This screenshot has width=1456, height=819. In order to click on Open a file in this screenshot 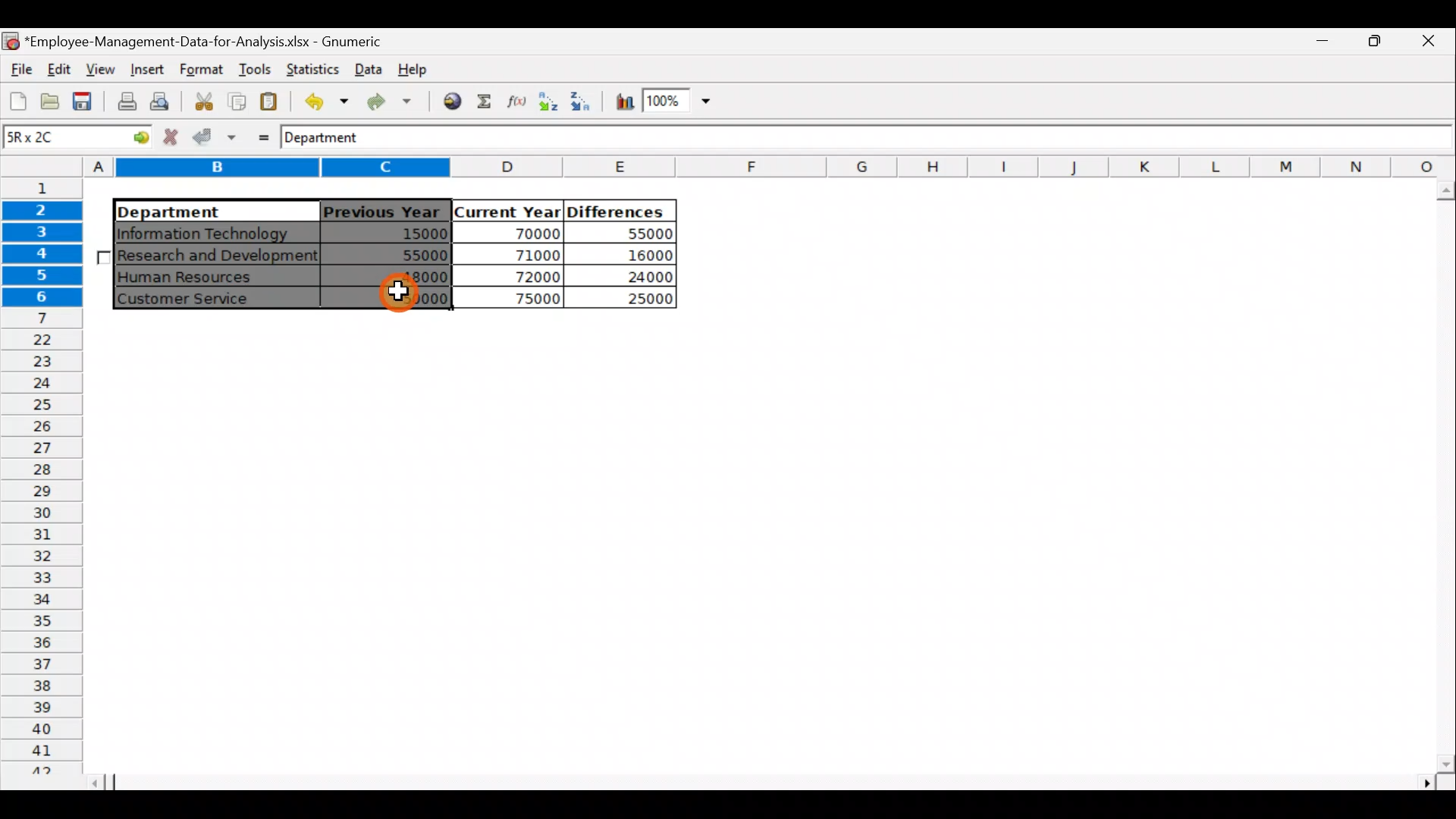, I will do `click(49, 104)`.